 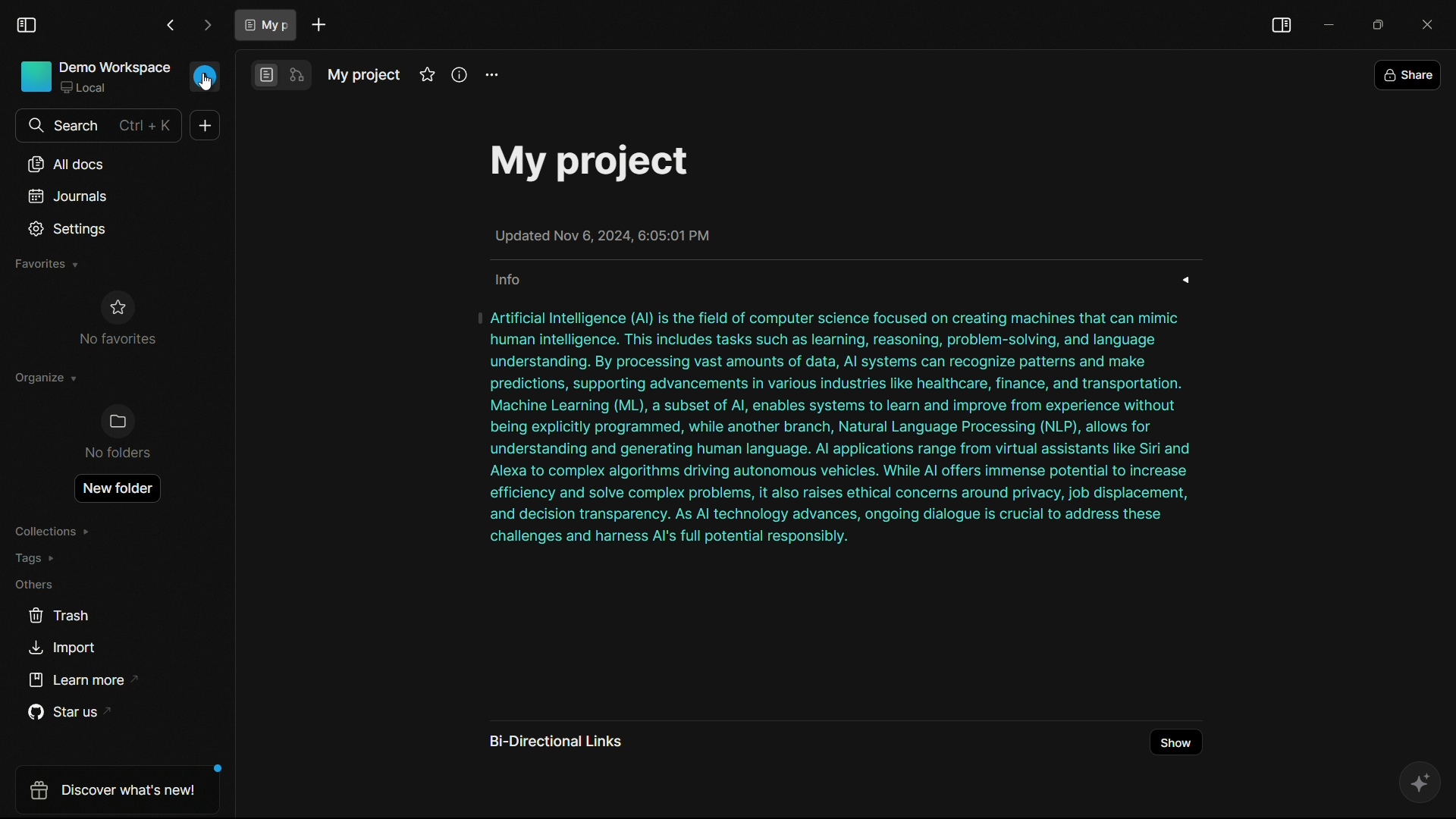 I want to click on toggle sidebar, so click(x=28, y=26).